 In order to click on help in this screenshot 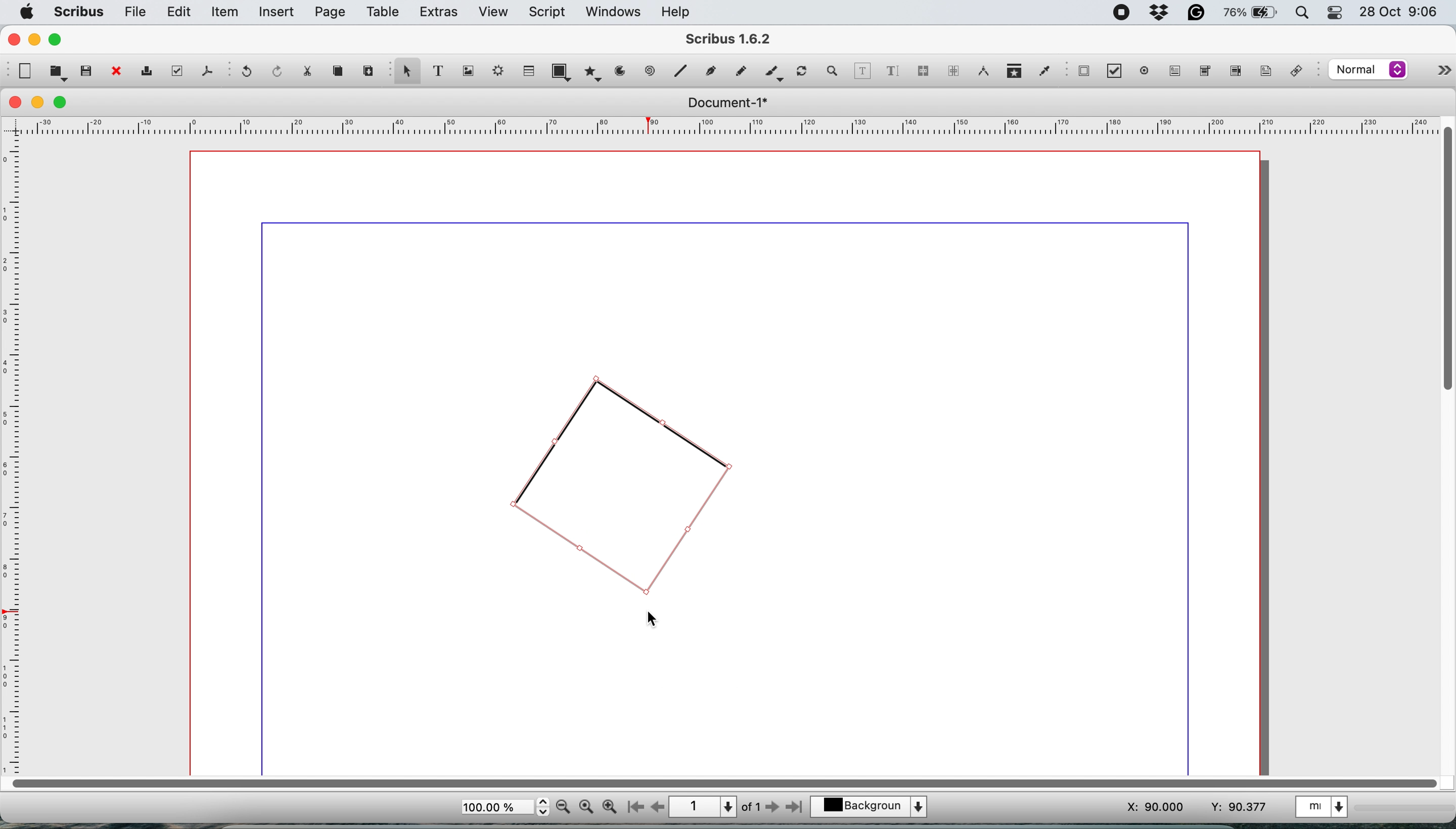, I will do `click(680, 11)`.